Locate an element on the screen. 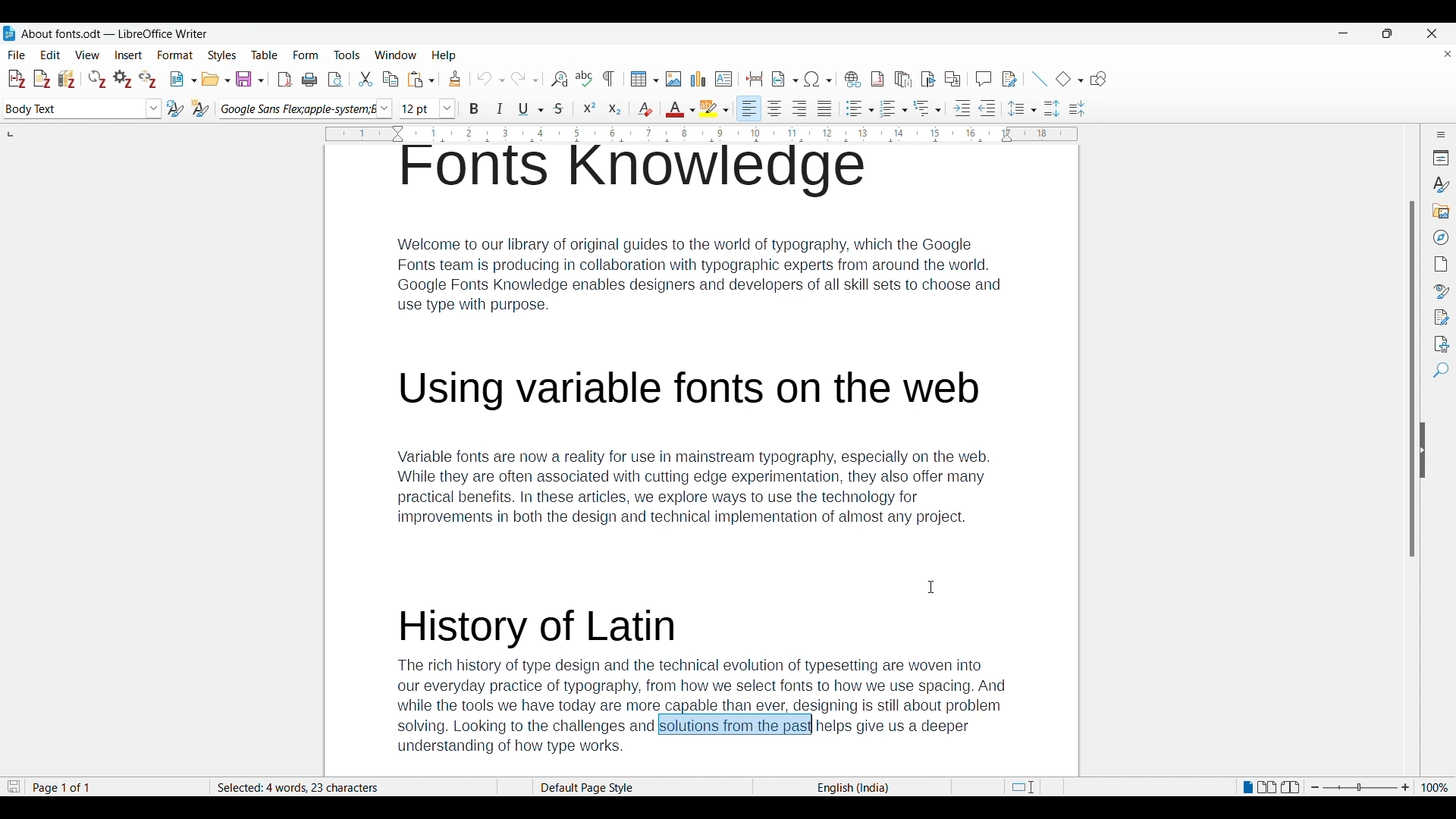 This screenshot has width=1456, height=819. Standard selection is located at coordinates (1022, 787).